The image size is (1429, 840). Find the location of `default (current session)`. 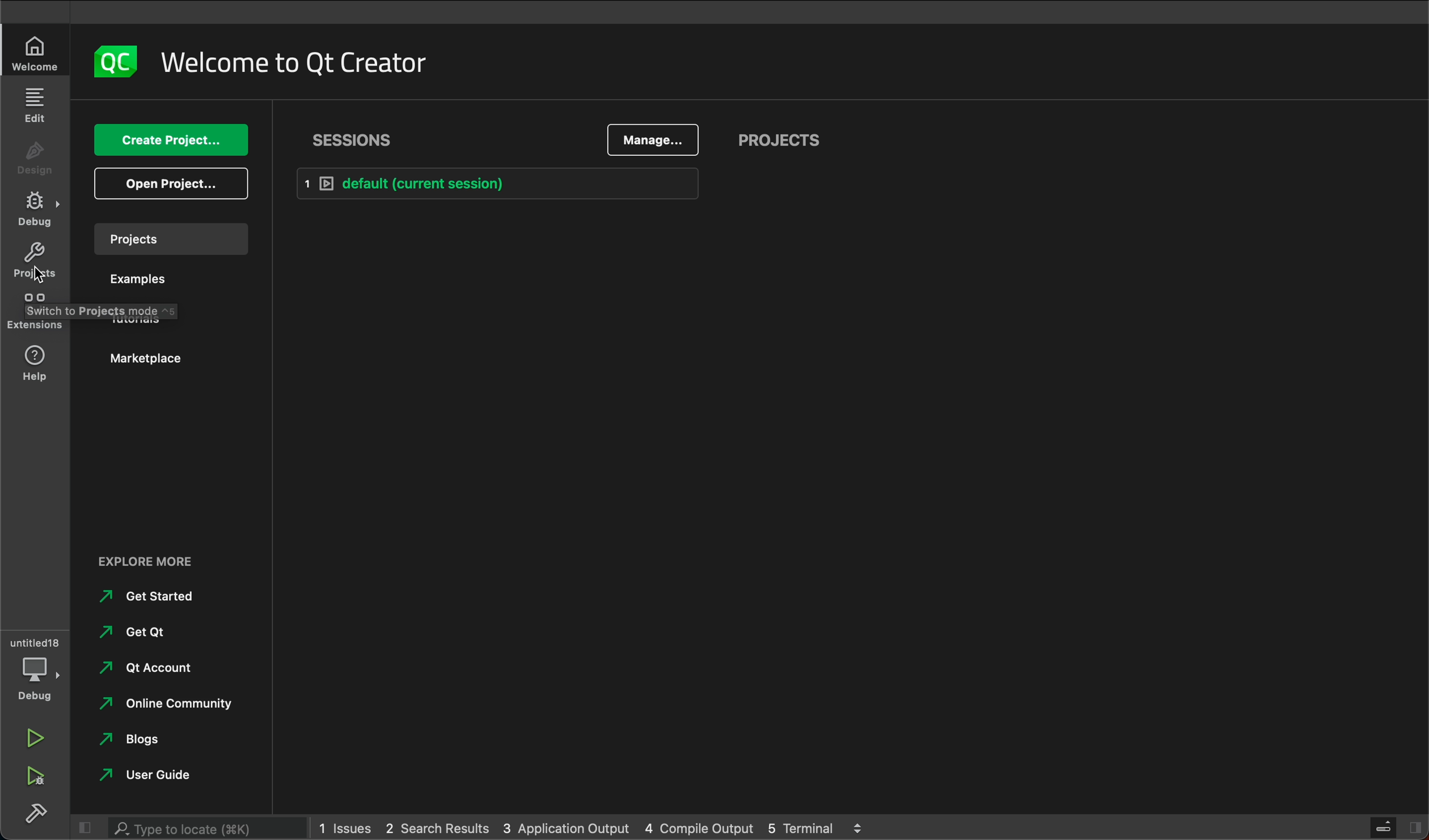

default (current session) is located at coordinates (509, 186).